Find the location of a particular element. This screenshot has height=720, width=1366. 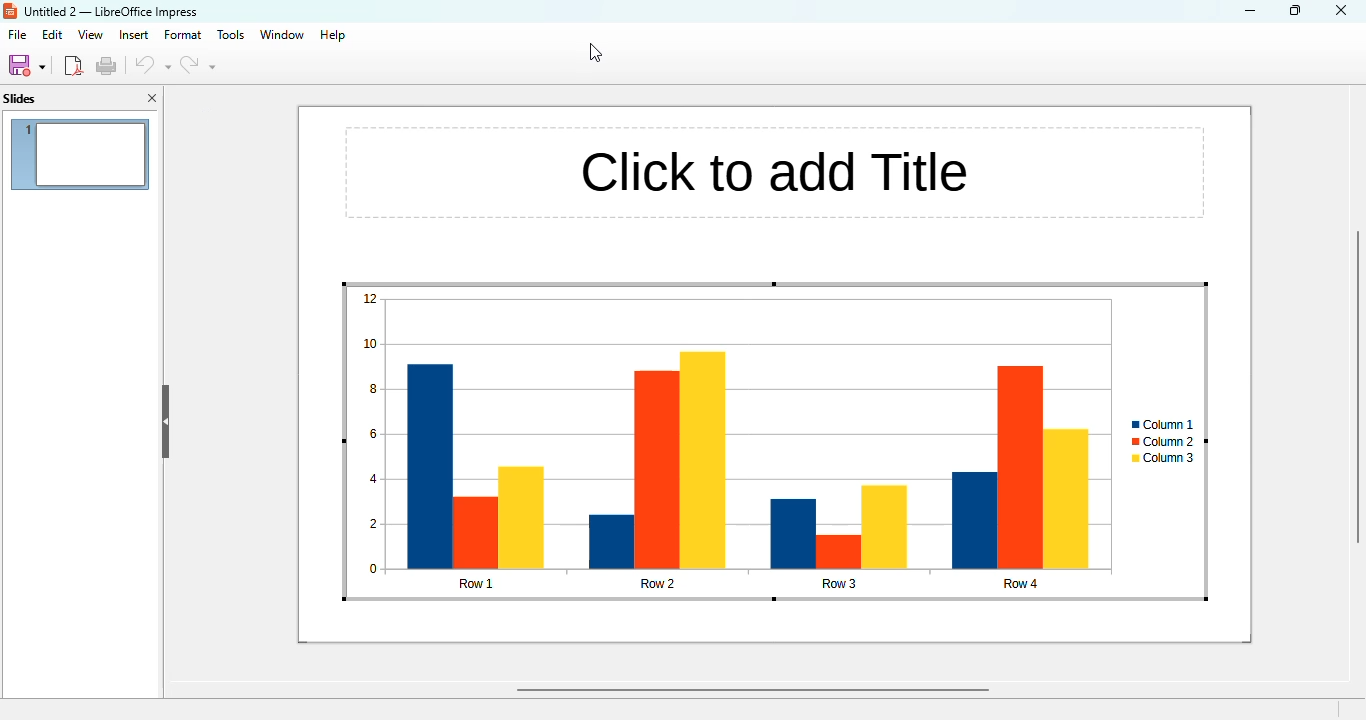

redo is located at coordinates (197, 66).